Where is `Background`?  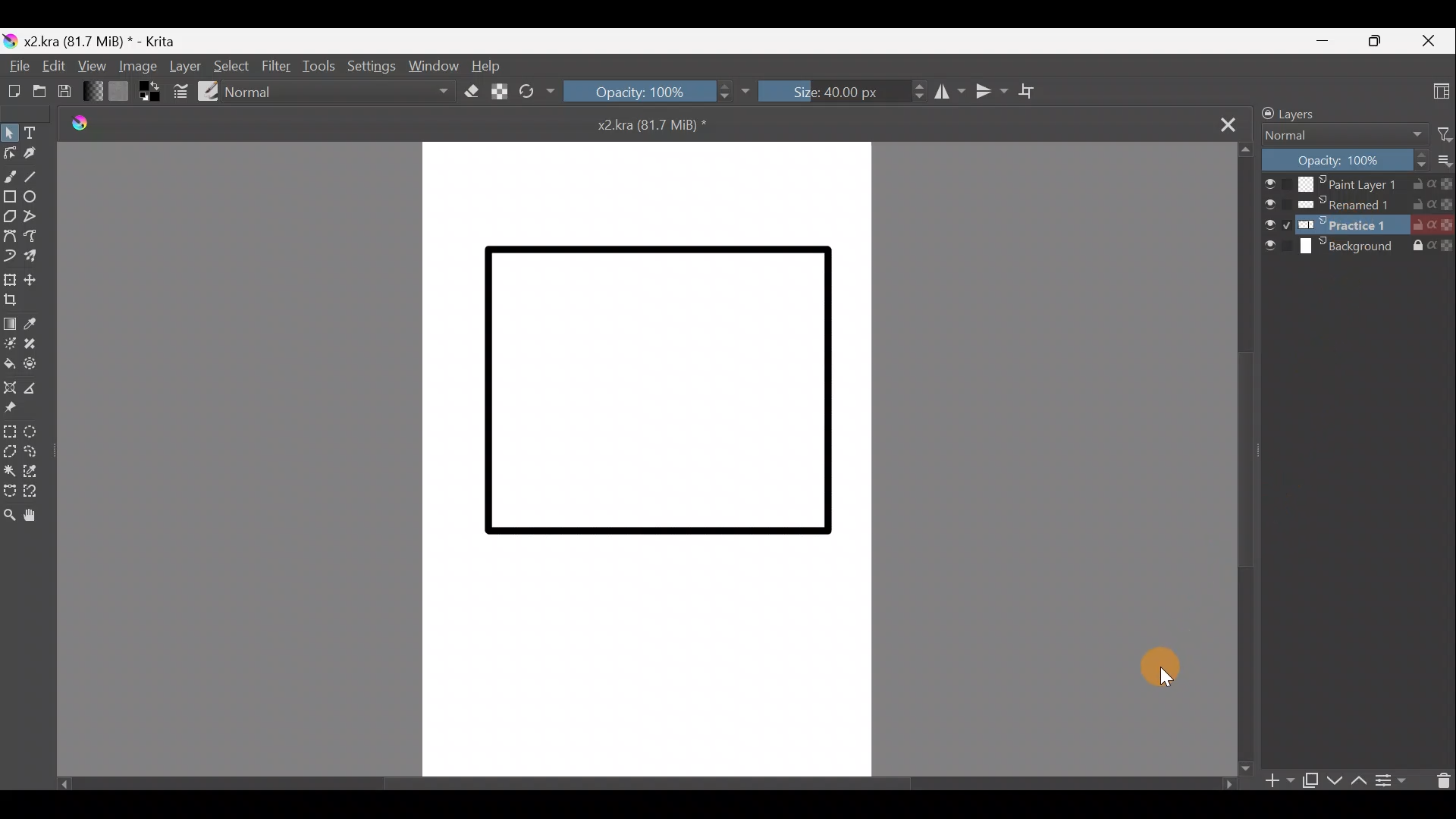 Background is located at coordinates (1357, 249).